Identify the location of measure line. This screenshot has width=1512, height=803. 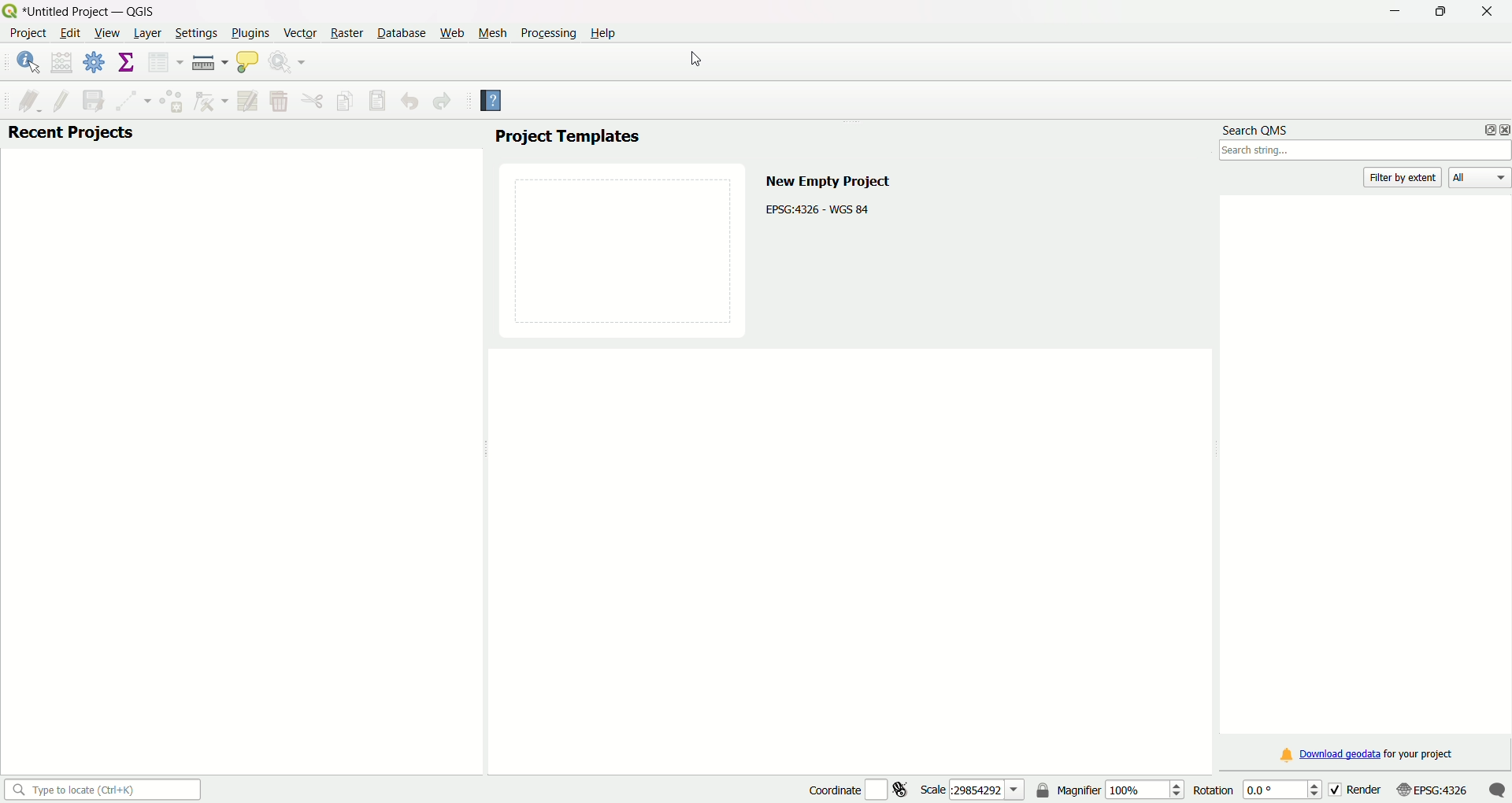
(209, 63).